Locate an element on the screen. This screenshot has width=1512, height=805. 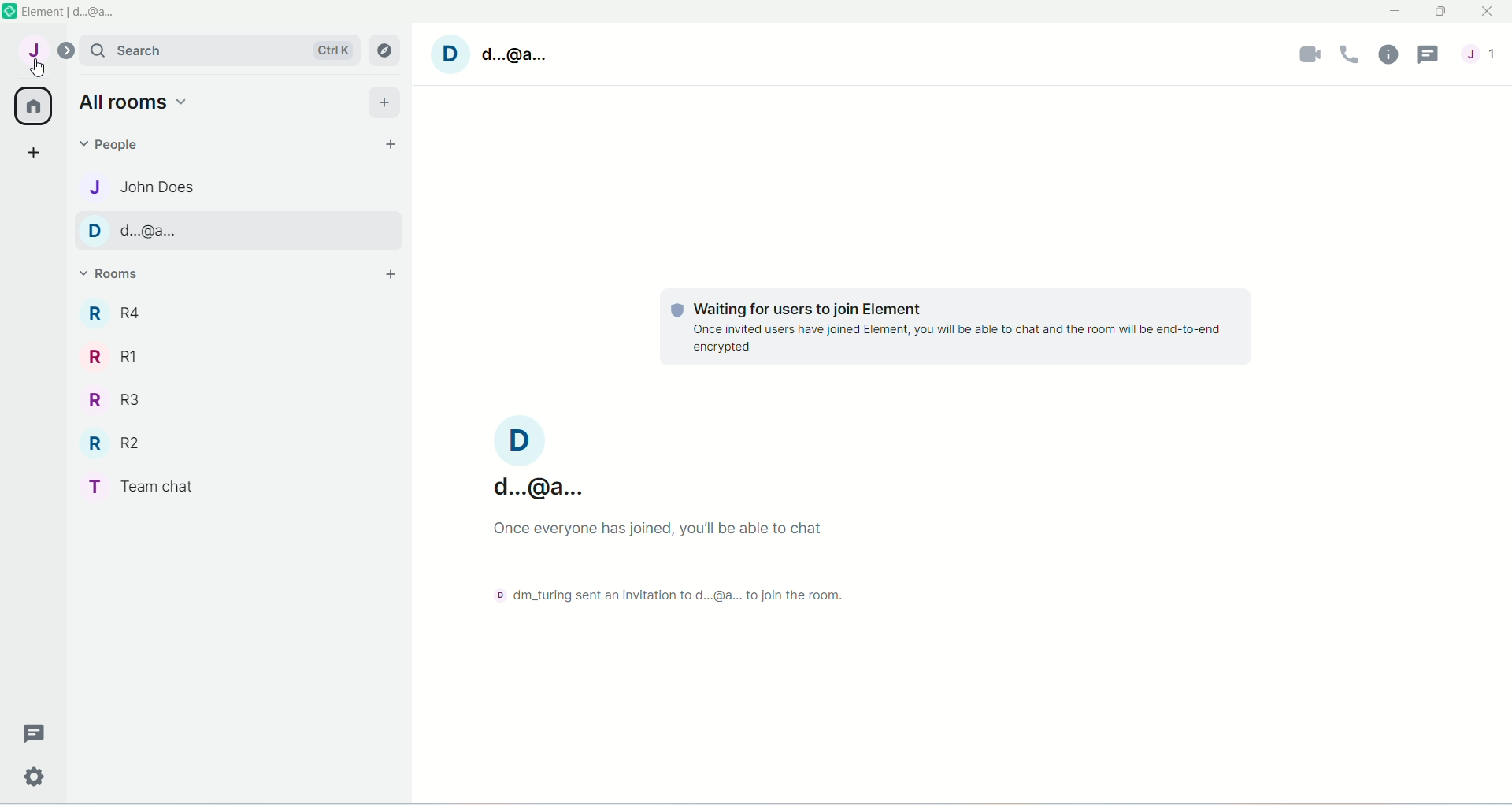
Room info is located at coordinates (1391, 57).